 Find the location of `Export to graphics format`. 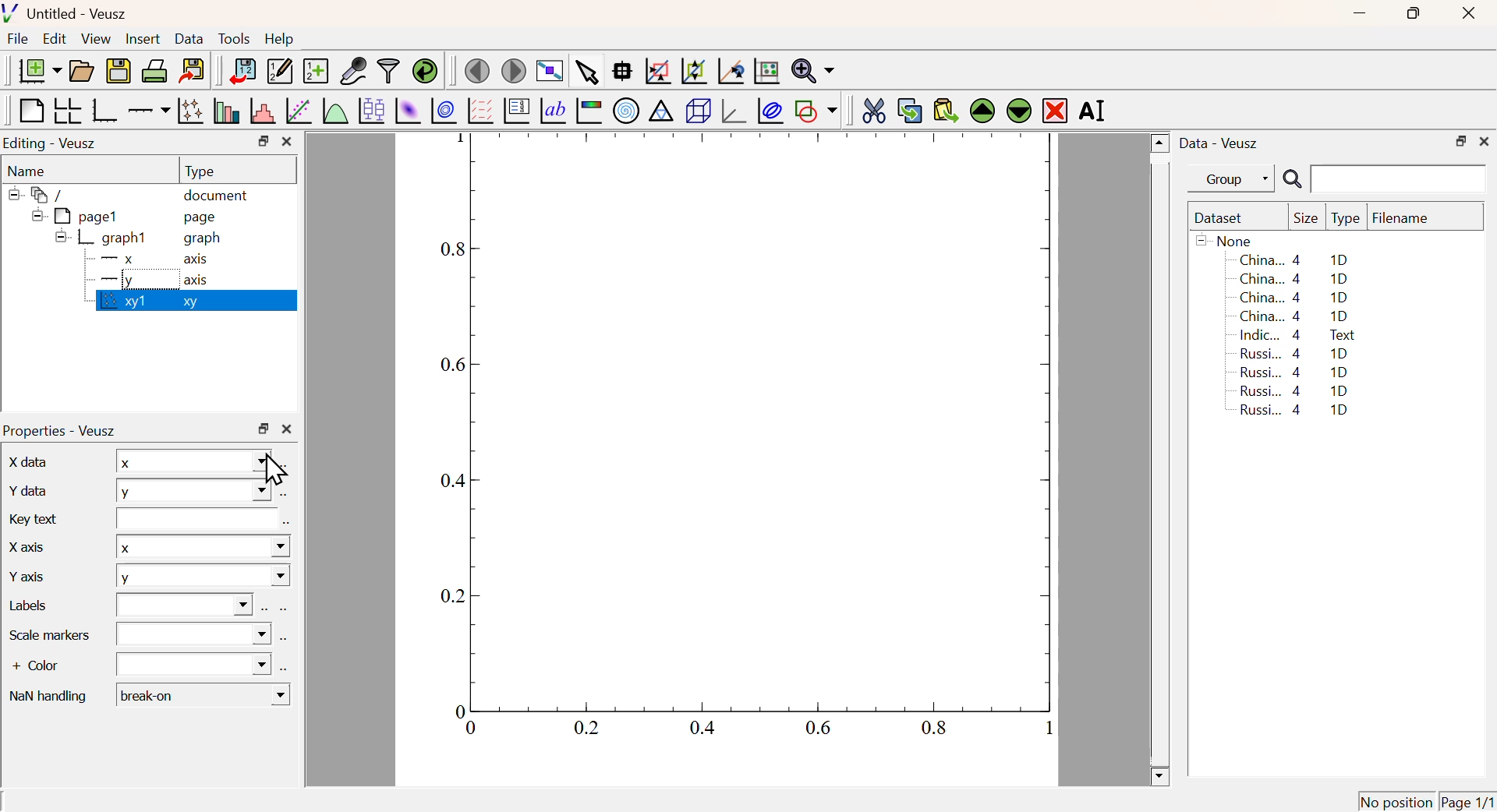

Export to graphics format is located at coordinates (193, 69).